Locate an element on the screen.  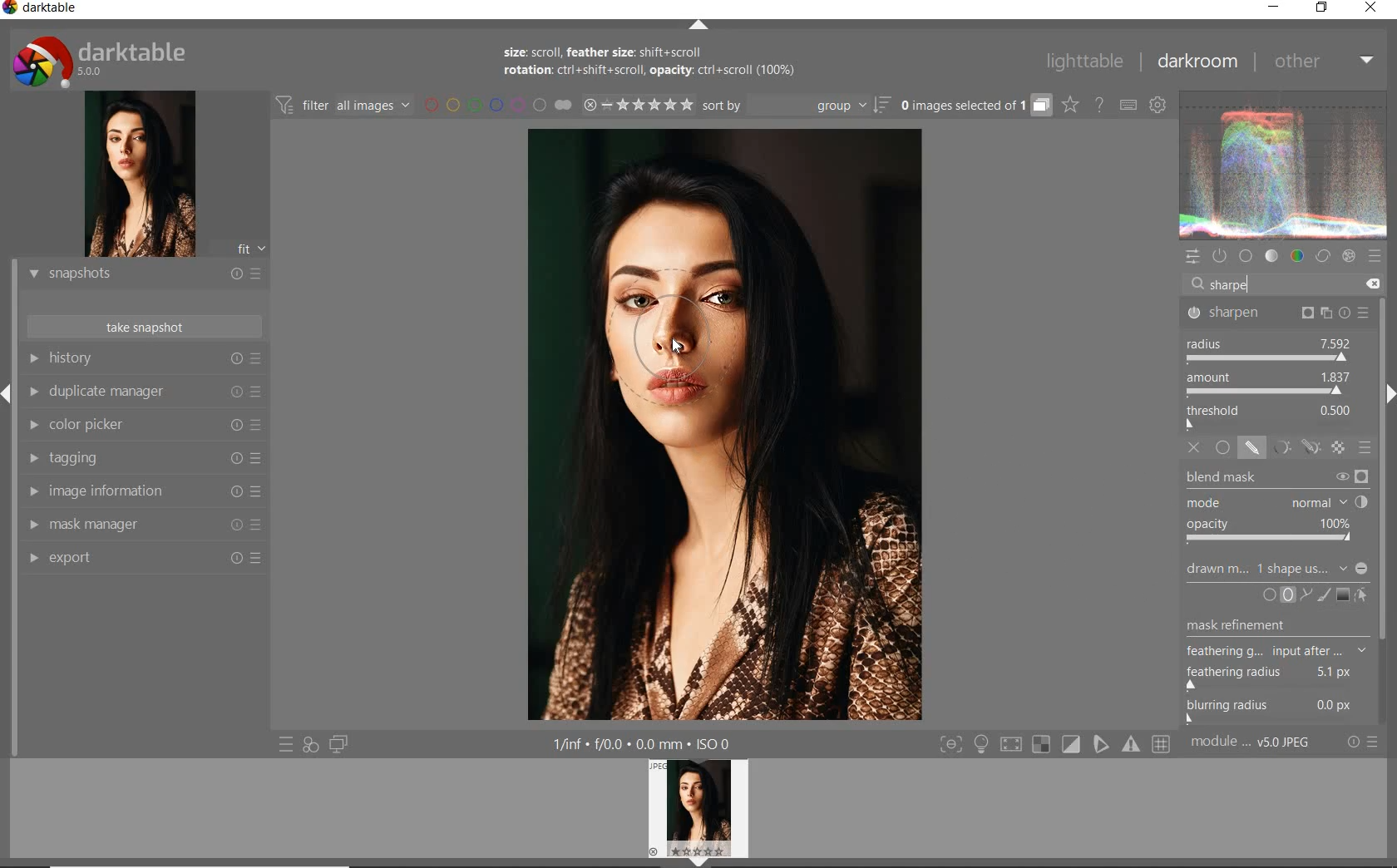
LIGHTTABLE is located at coordinates (1083, 62).